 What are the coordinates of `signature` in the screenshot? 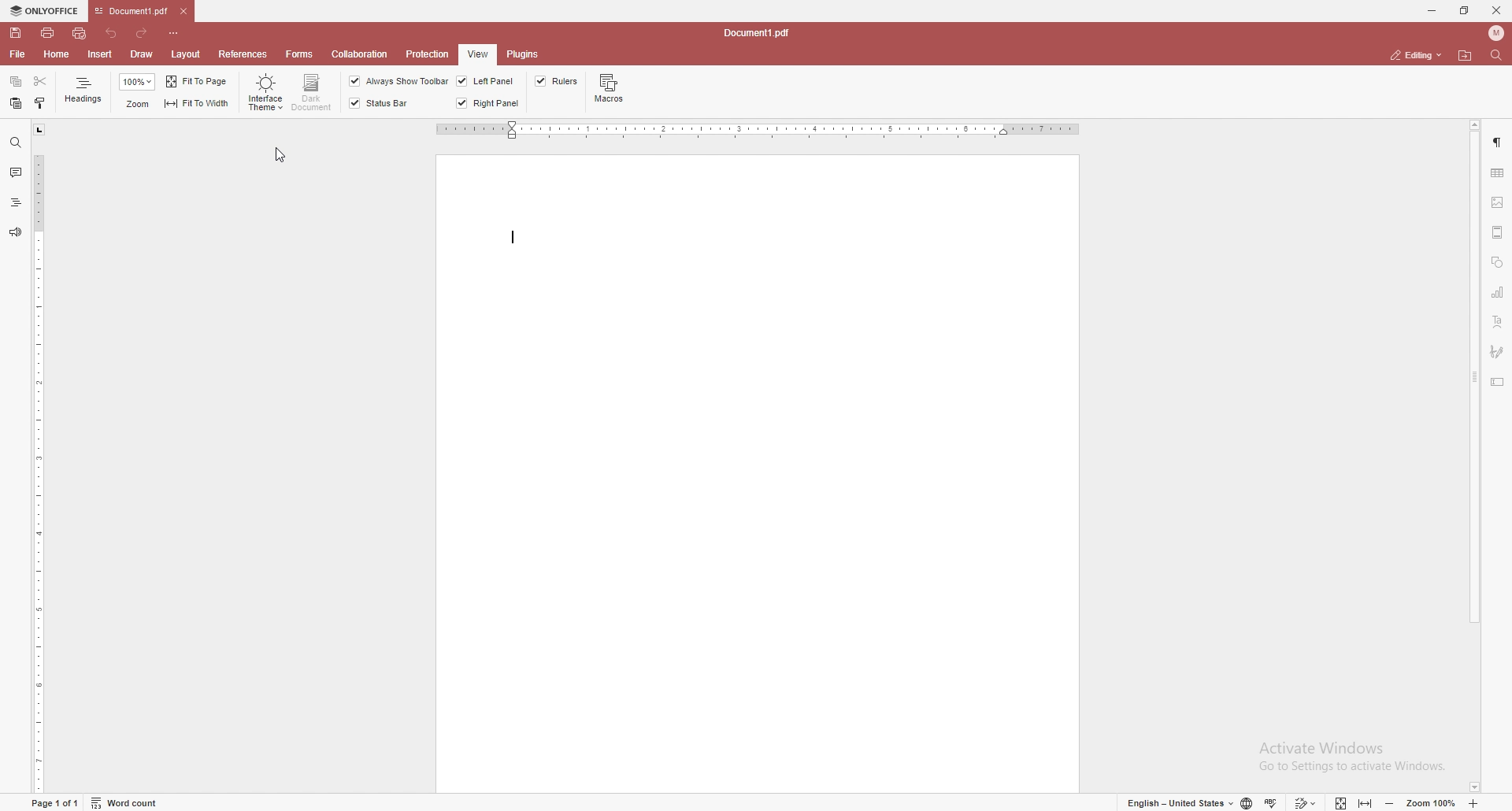 It's located at (1496, 350).